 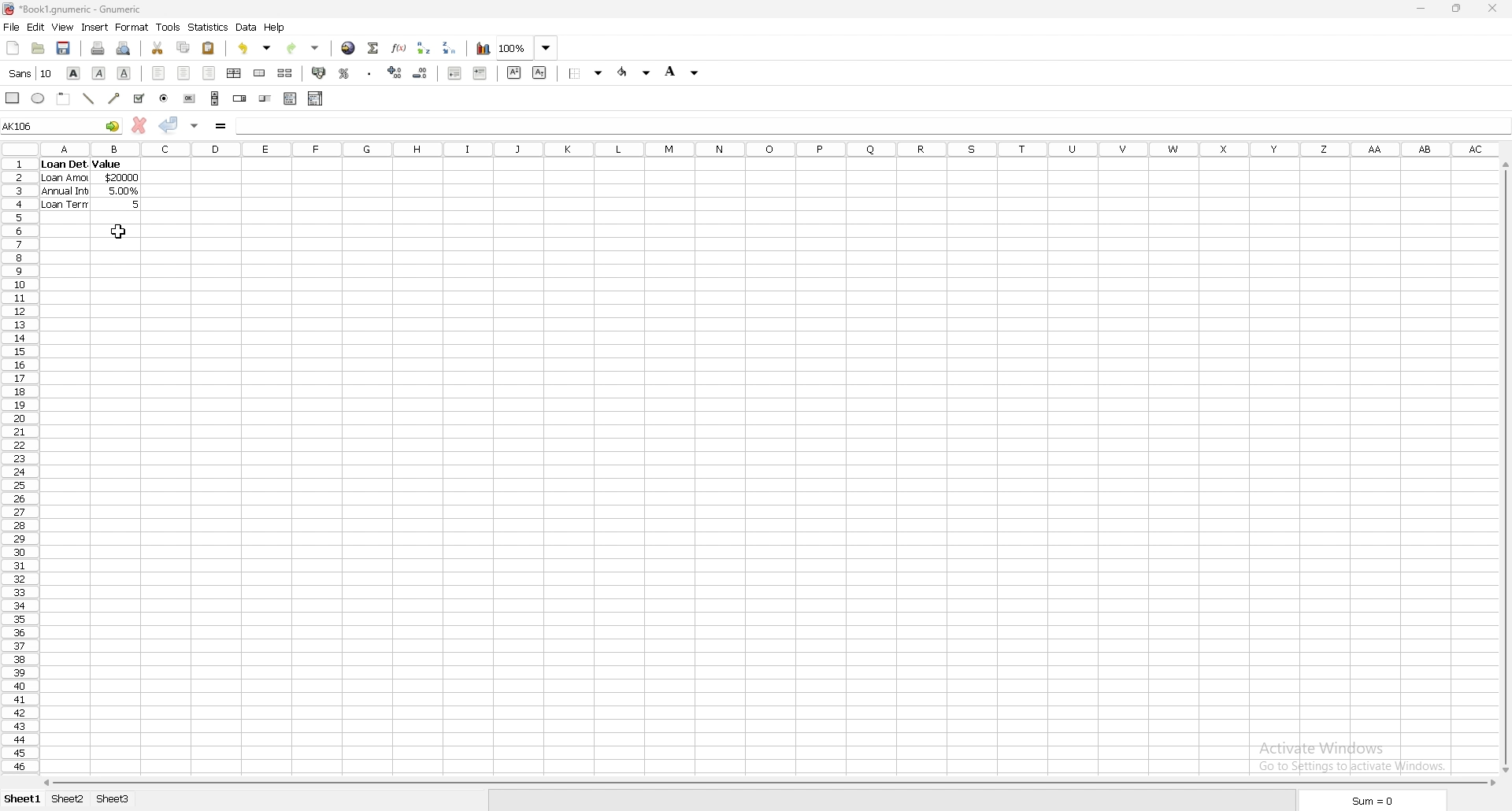 I want to click on minimize, so click(x=1421, y=9).